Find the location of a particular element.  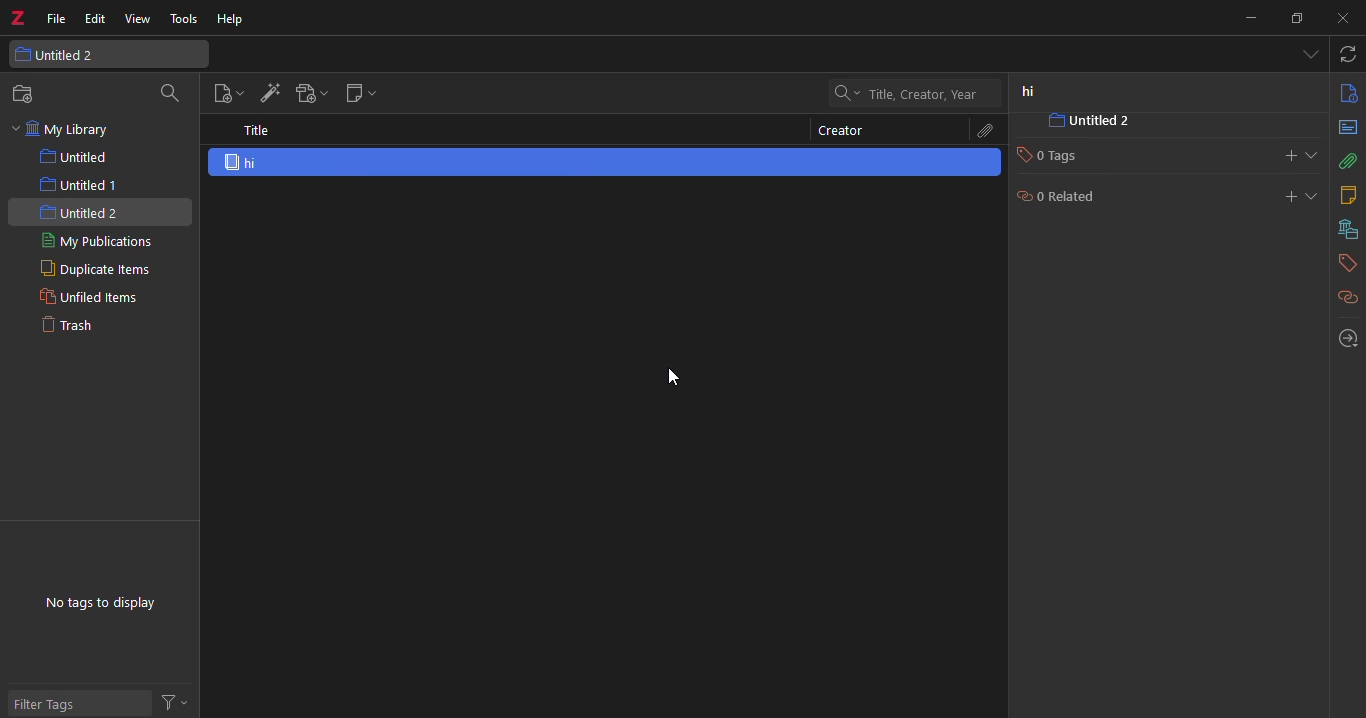

my publications is located at coordinates (95, 241).